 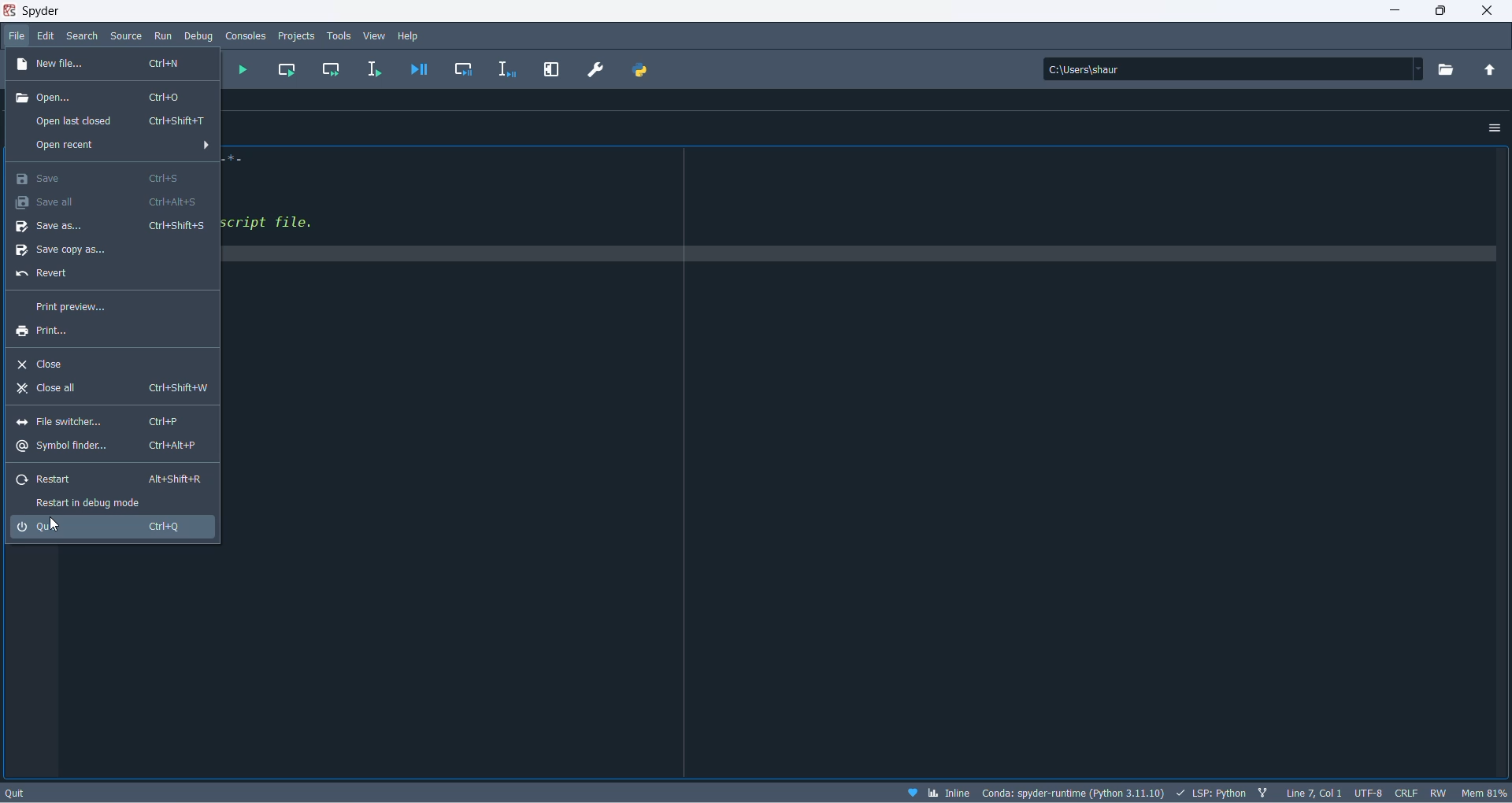 I want to click on quit, so click(x=117, y=531).